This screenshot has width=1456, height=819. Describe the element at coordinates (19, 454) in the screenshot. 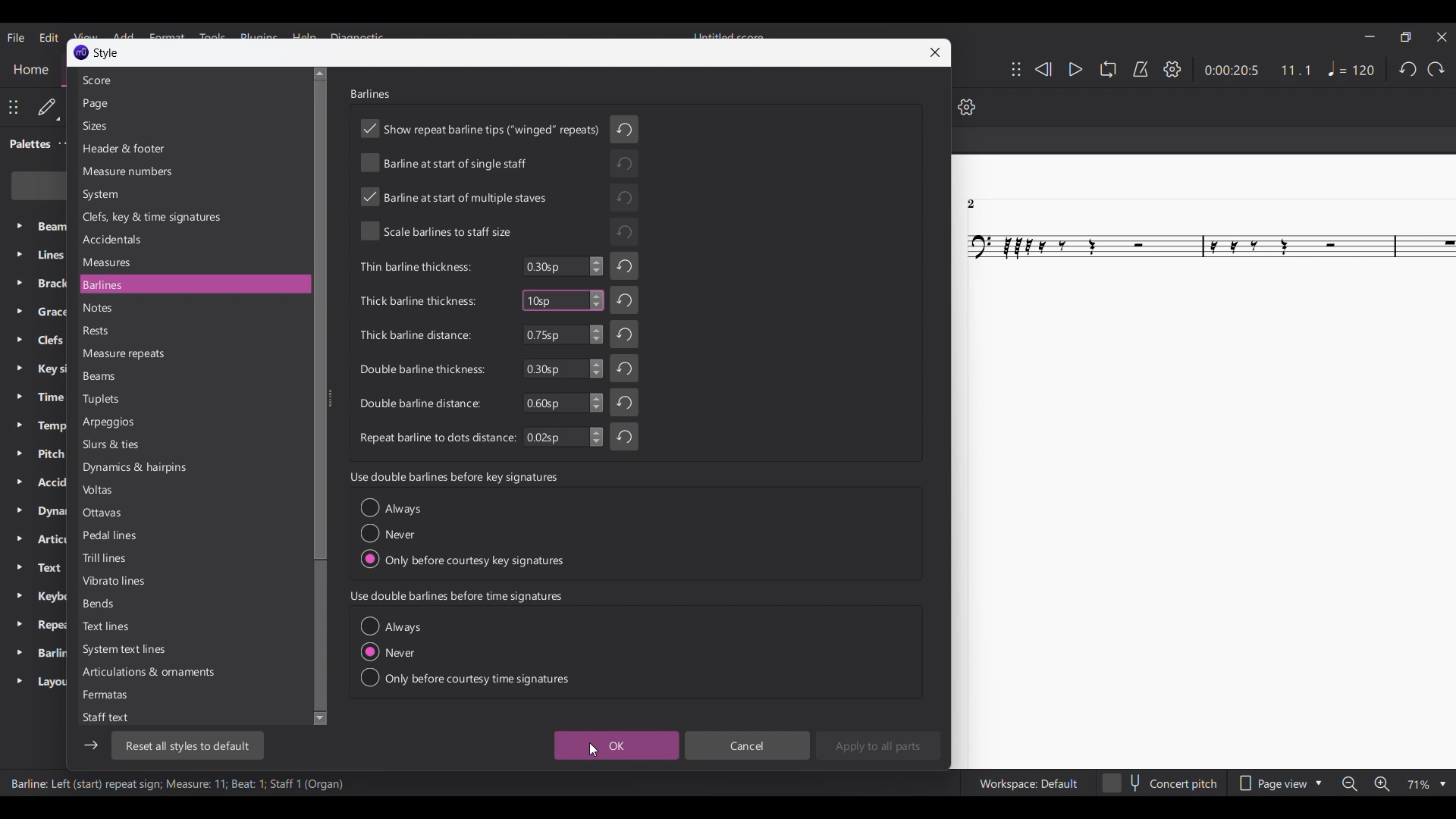

I see `Expand` at that location.